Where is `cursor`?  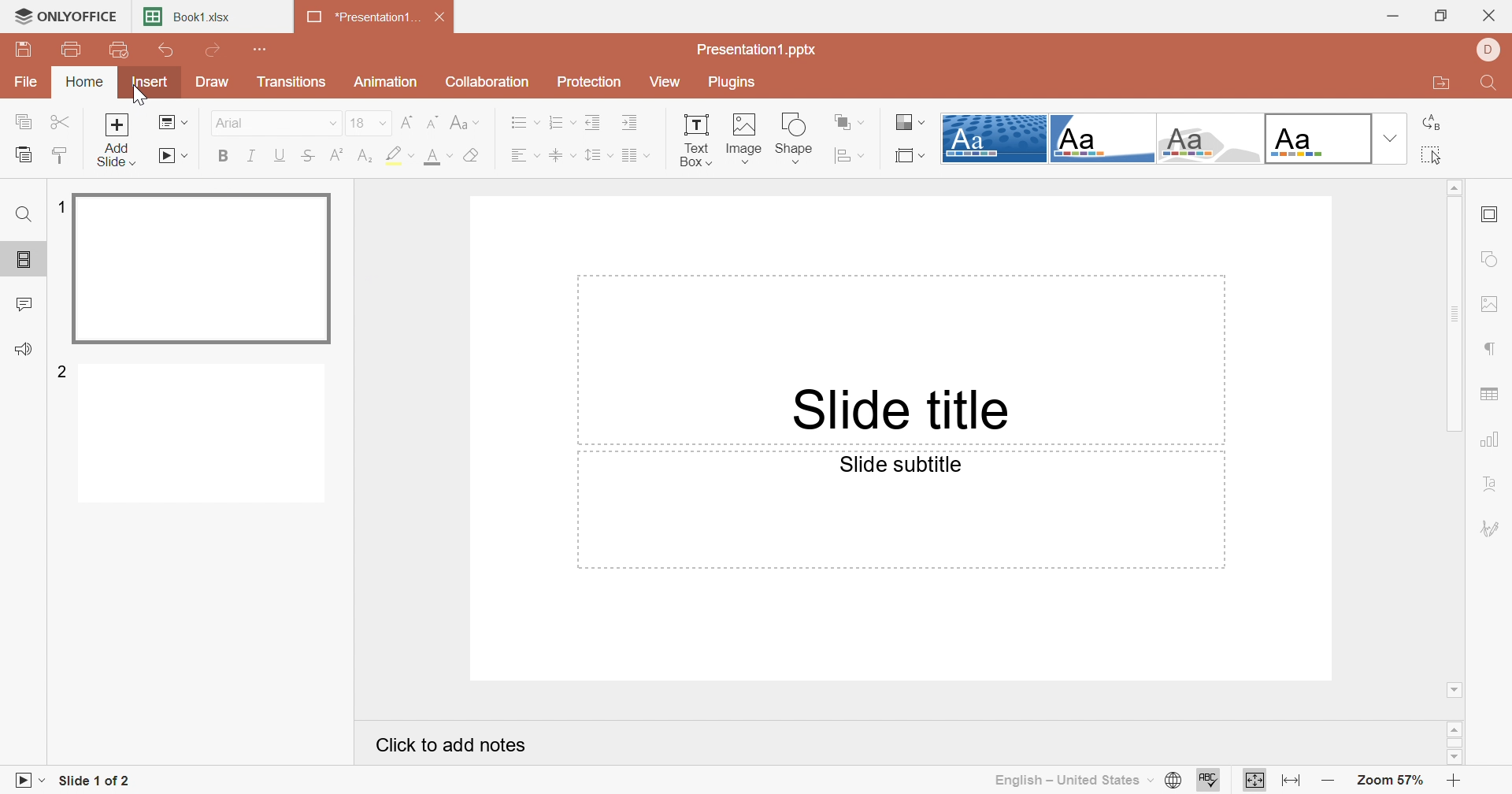 cursor is located at coordinates (145, 101).